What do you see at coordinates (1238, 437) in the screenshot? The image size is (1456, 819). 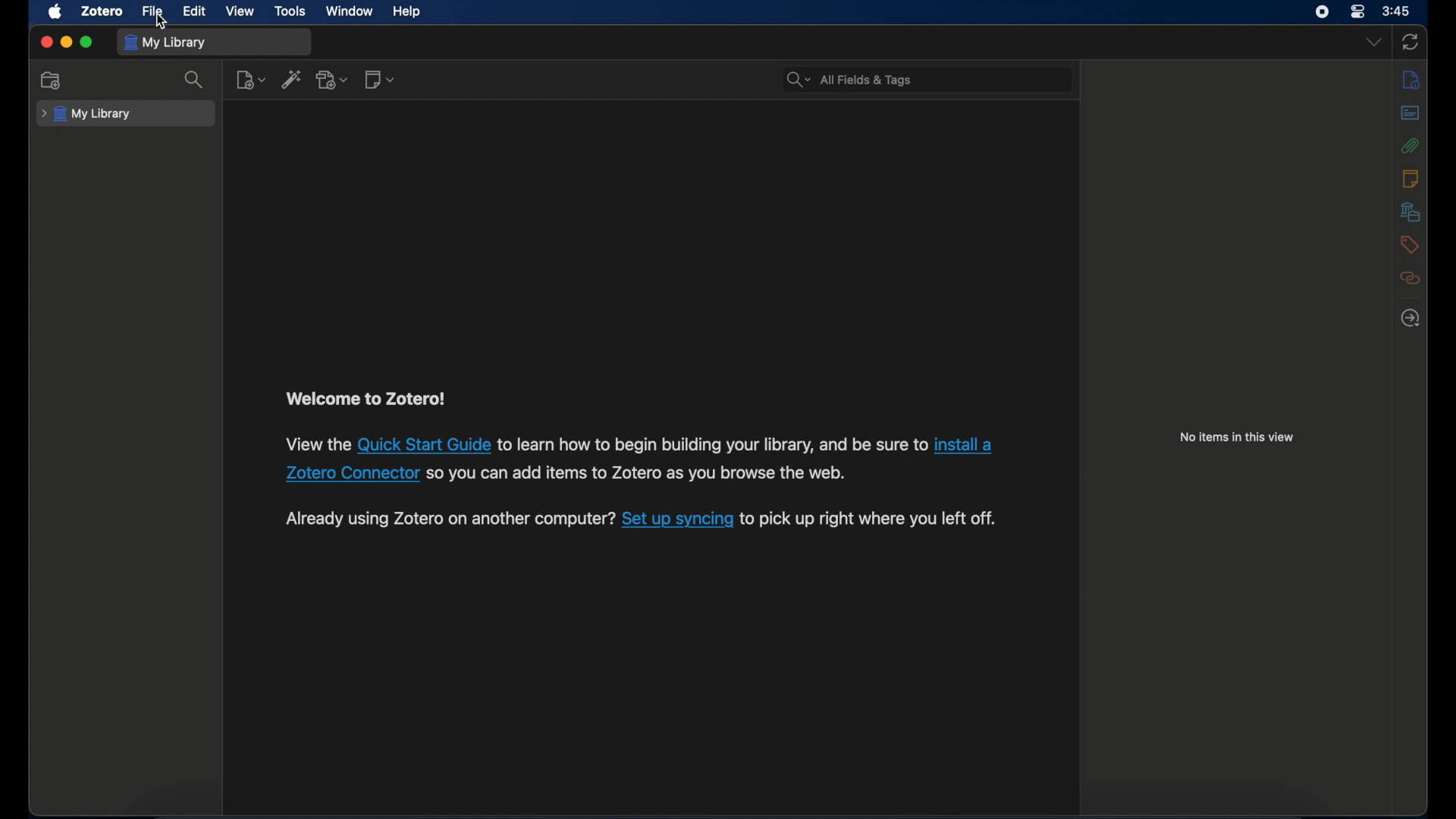 I see `no items in this view` at bounding box center [1238, 437].